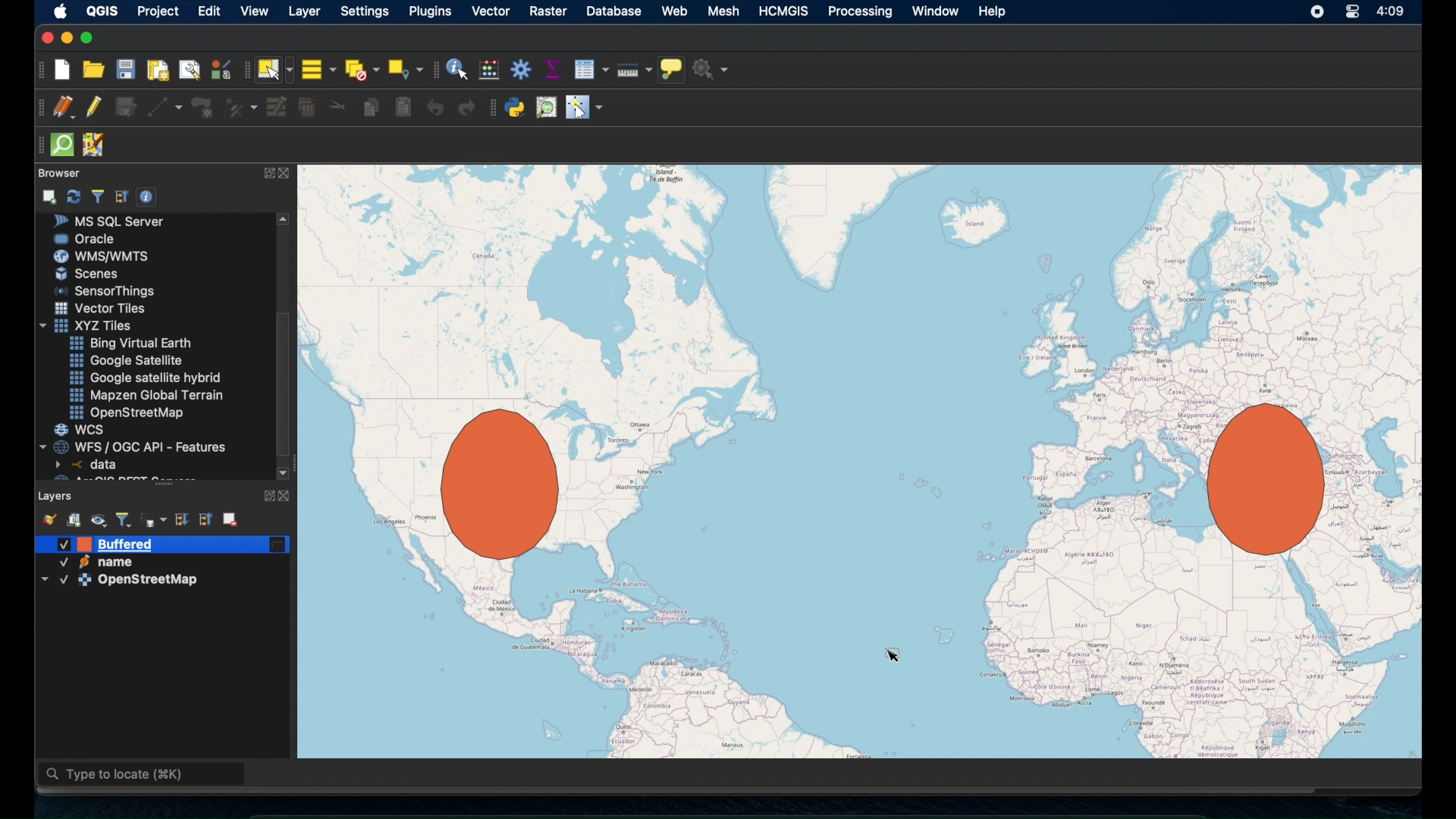  Describe the element at coordinates (993, 11) in the screenshot. I see `help` at that location.